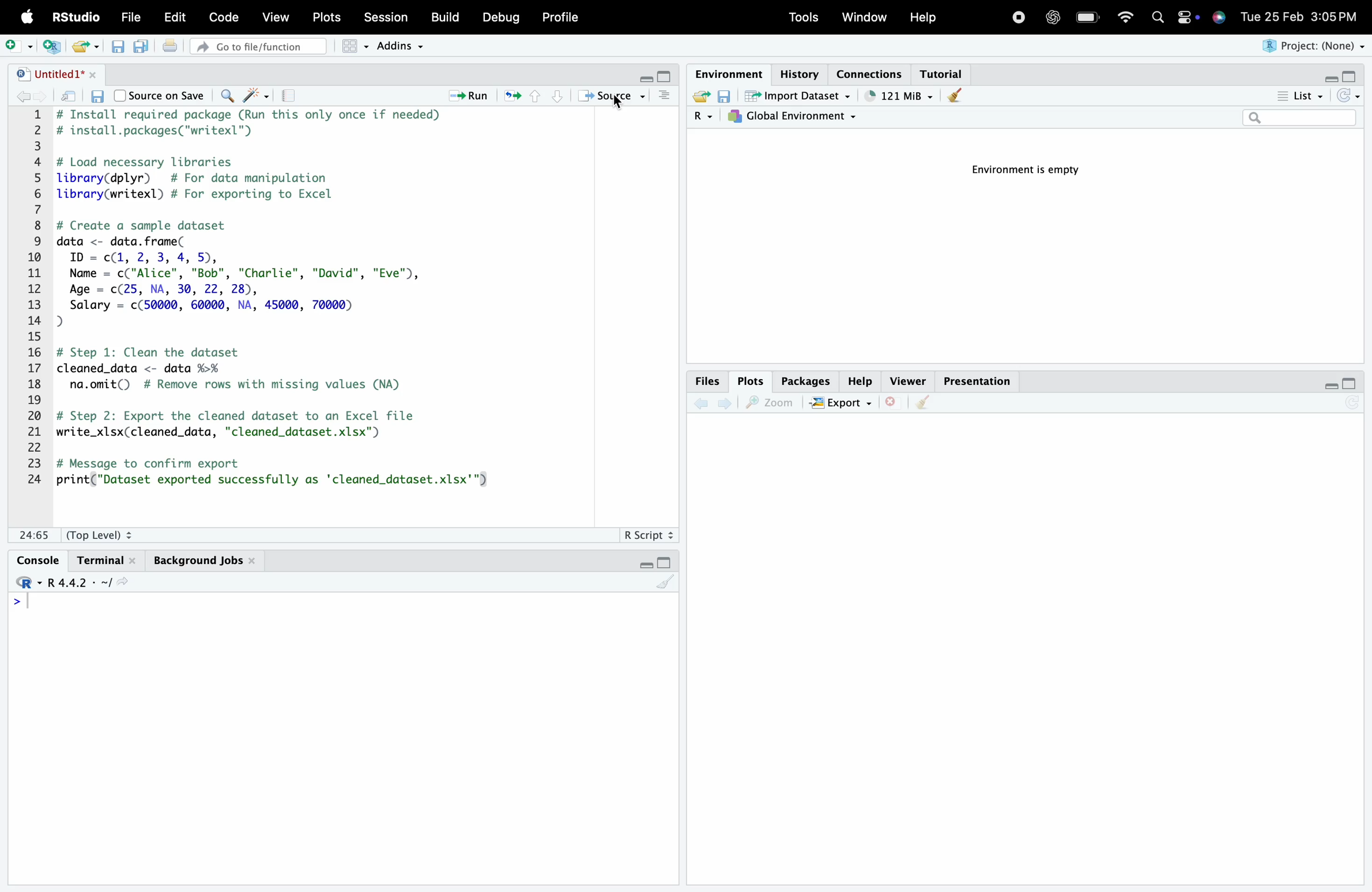 This screenshot has height=892, width=1372. What do you see at coordinates (401, 44) in the screenshot?
I see `Addins` at bounding box center [401, 44].